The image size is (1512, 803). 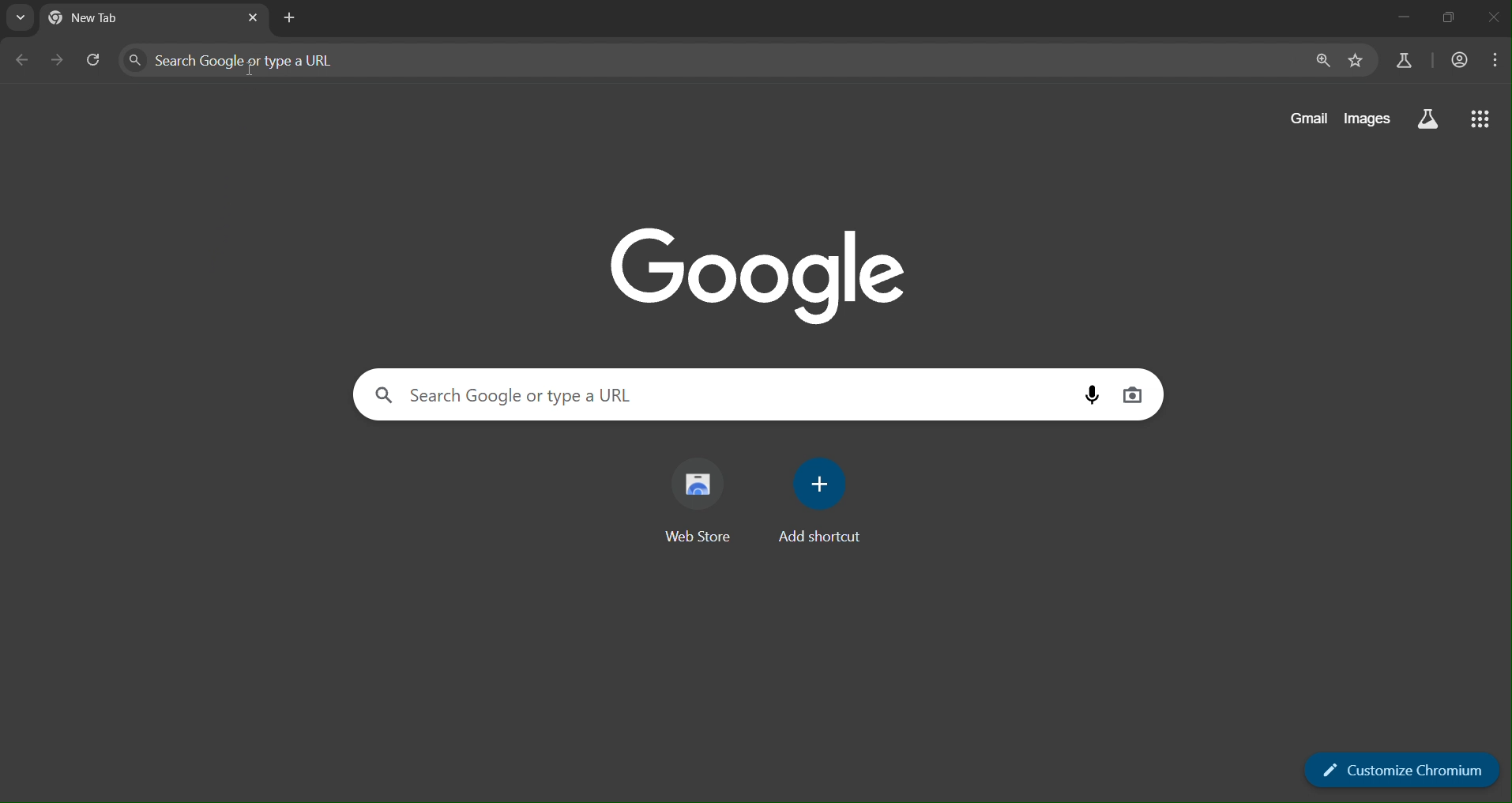 What do you see at coordinates (822, 501) in the screenshot?
I see `add shortcut` at bounding box center [822, 501].